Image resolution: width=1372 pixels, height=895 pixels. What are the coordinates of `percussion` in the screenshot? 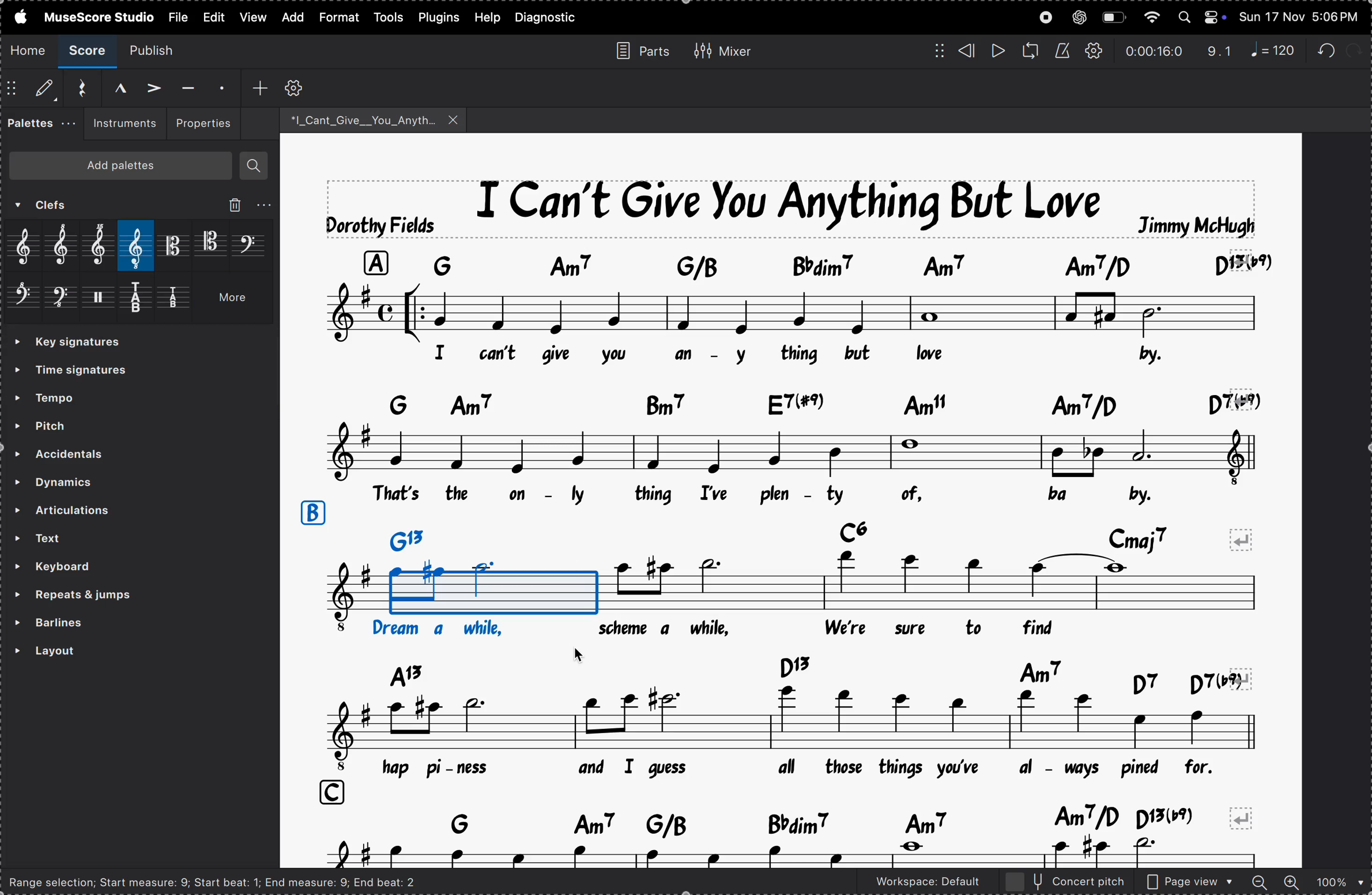 It's located at (103, 302).